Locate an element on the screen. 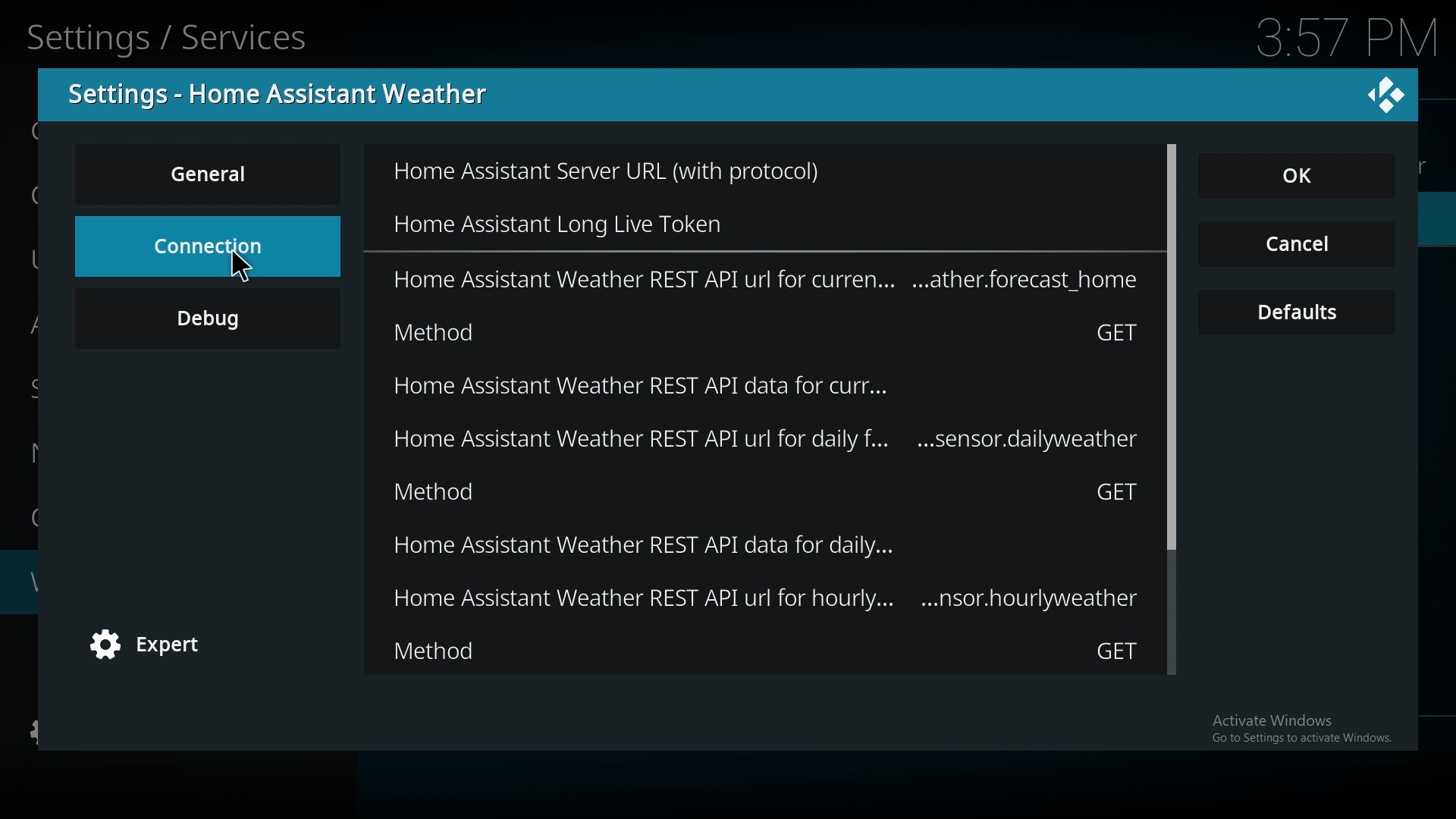 The width and height of the screenshot is (1456, 819). close is located at coordinates (1386, 93).